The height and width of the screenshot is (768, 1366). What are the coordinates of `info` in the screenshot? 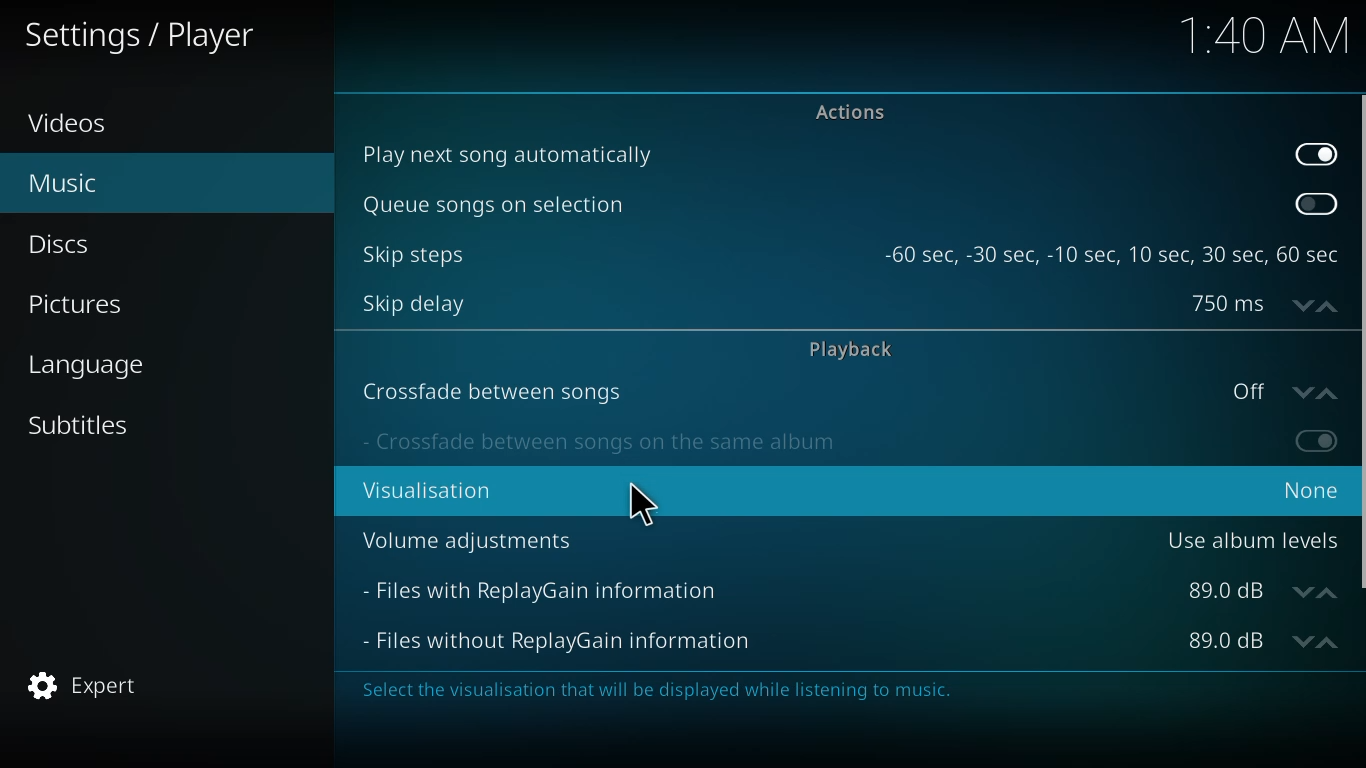 It's located at (643, 691).